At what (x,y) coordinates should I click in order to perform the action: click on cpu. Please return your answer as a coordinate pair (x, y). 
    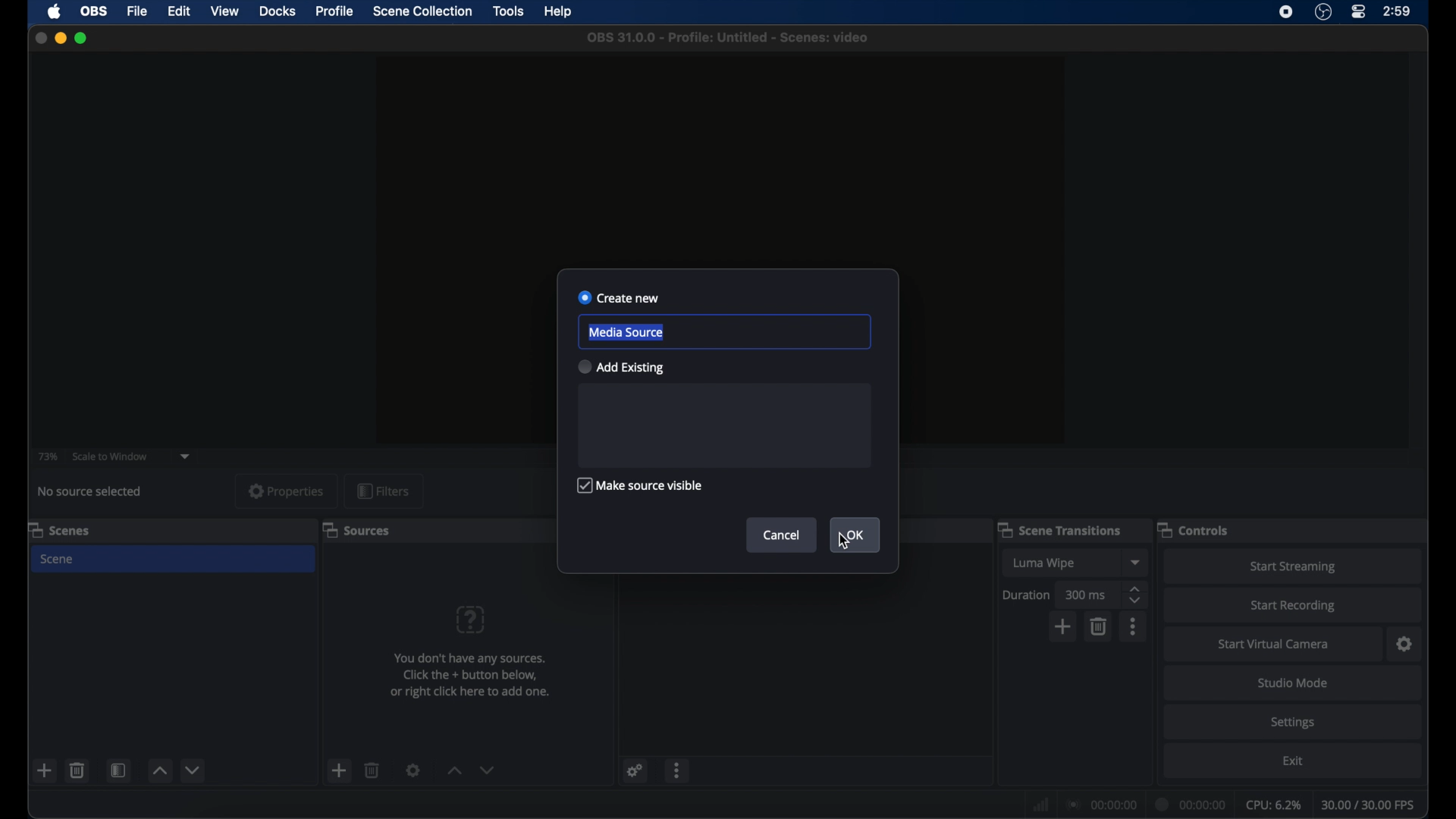
    Looking at the image, I should click on (1274, 805).